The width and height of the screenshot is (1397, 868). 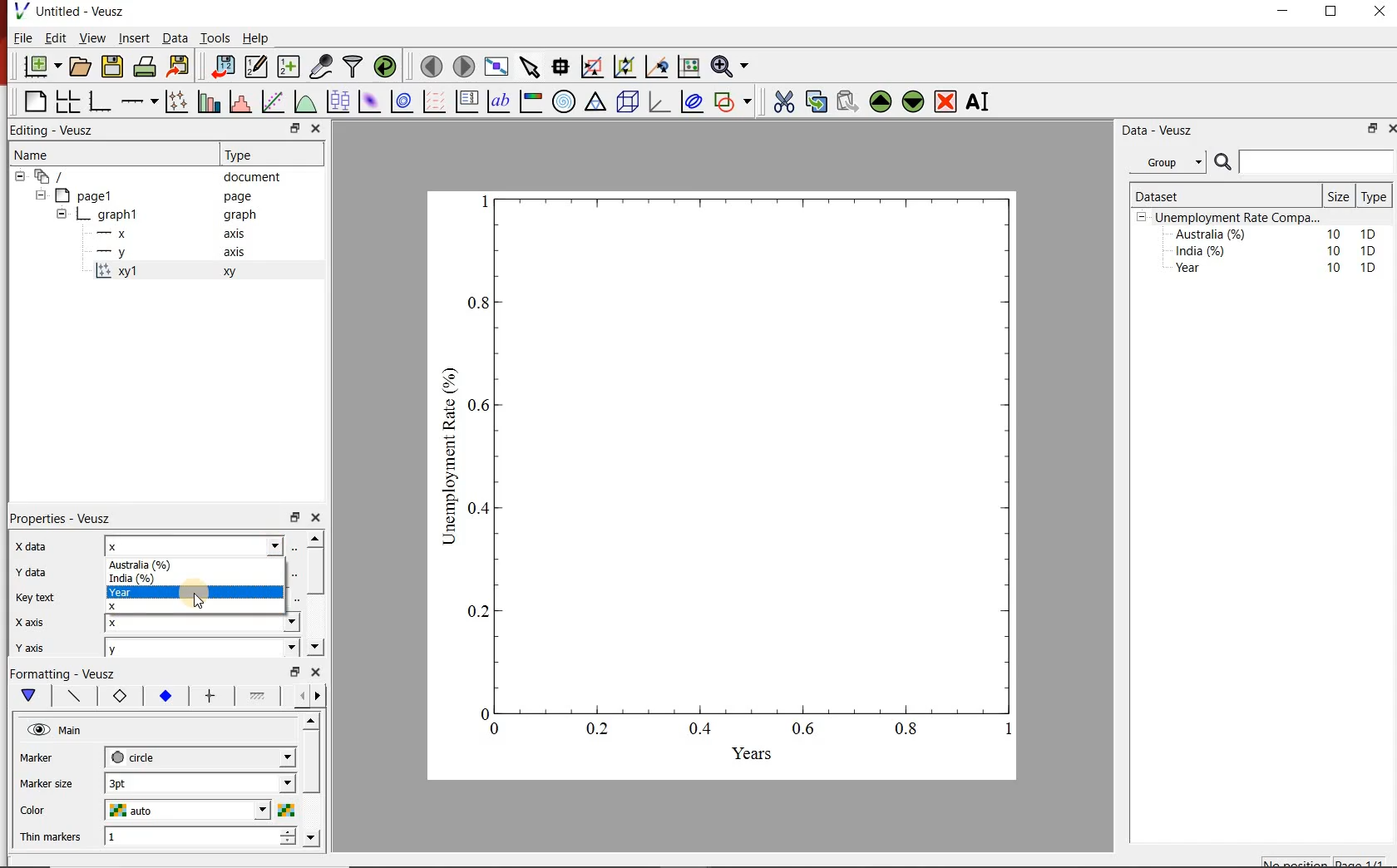 I want to click on search bar, so click(x=1302, y=162).